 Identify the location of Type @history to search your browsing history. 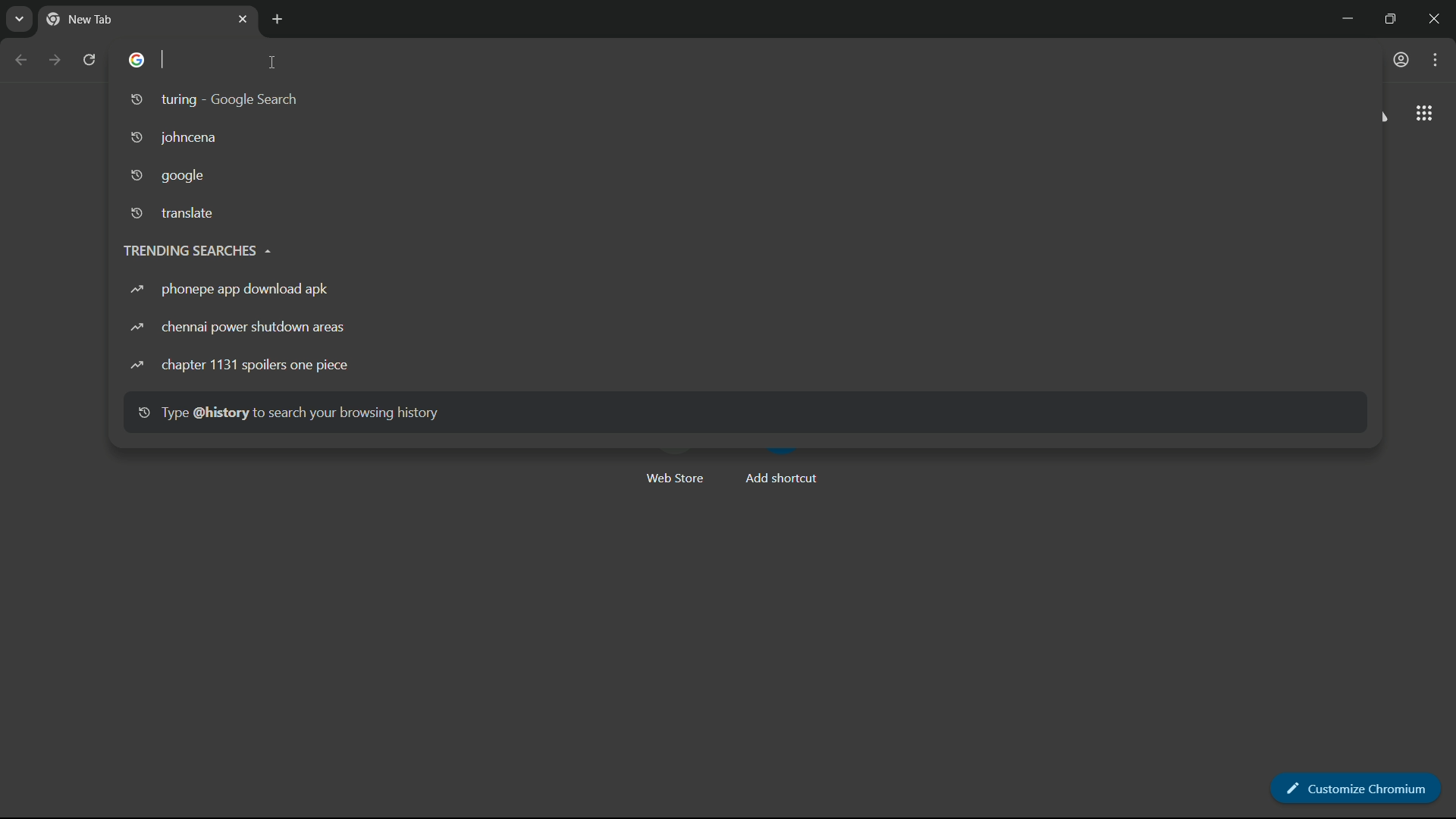
(288, 415).